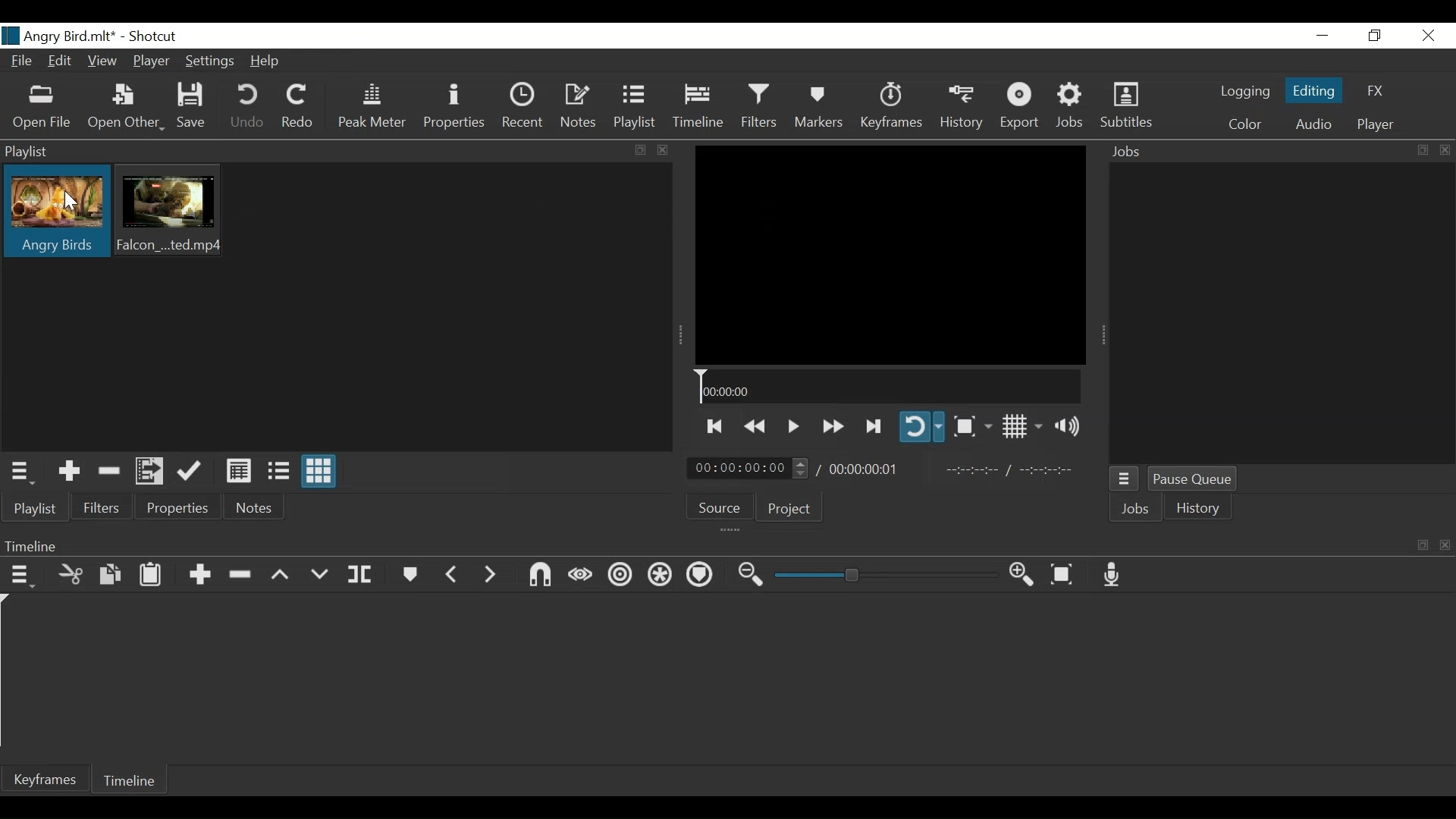 The height and width of the screenshot is (819, 1456). Describe the element at coordinates (659, 576) in the screenshot. I see `Ripple all tracks` at that location.